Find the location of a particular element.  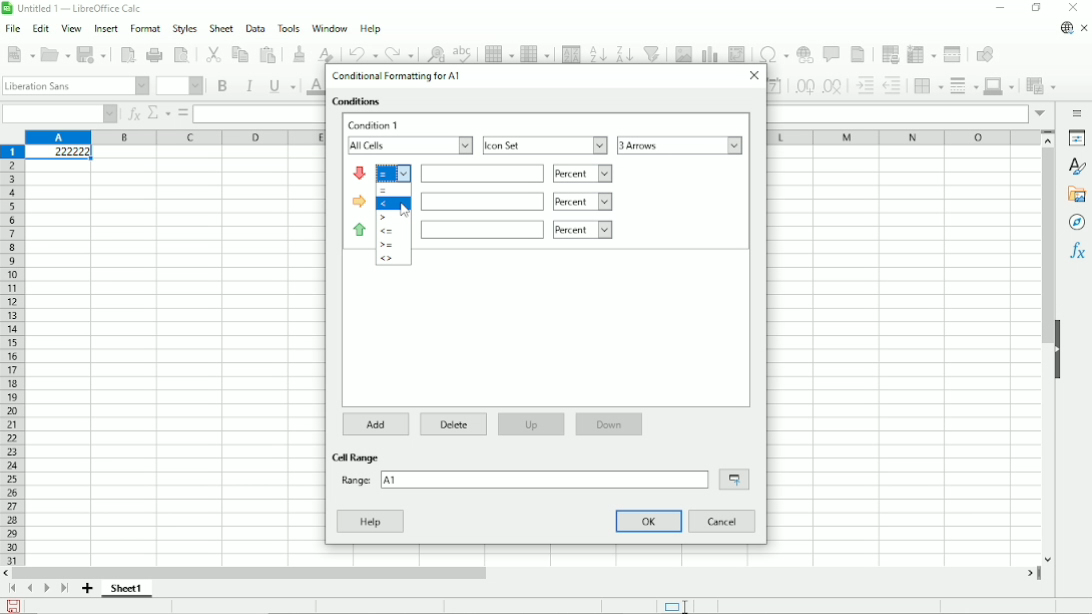

File is located at coordinates (13, 29).